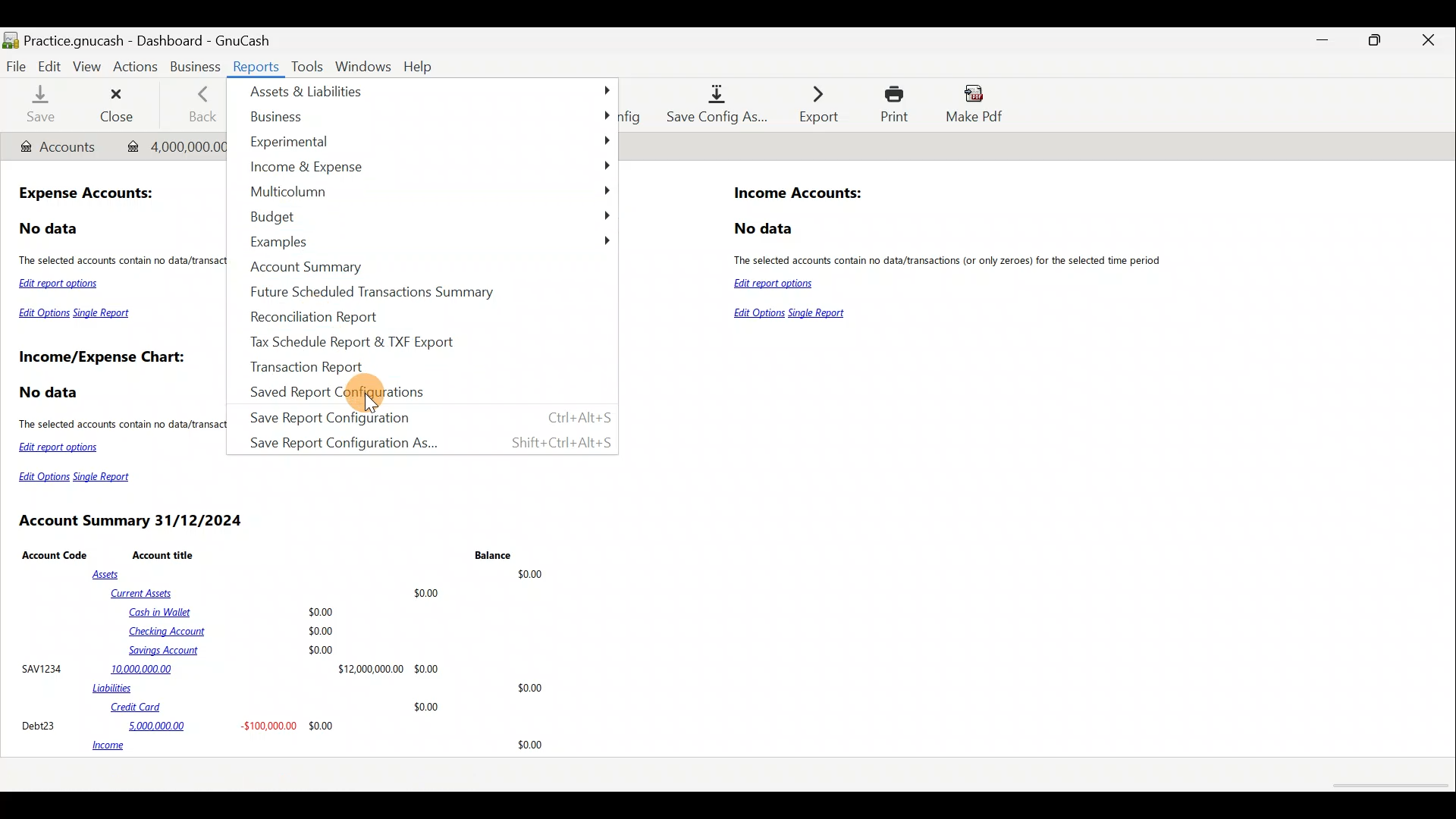 Image resolution: width=1456 pixels, height=819 pixels. What do you see at coordinates (426, 441) in the screenshot?
I see `Save Report Configuration As... Shift+Ctrl+Alt+S` at bounding box center [426, 441].